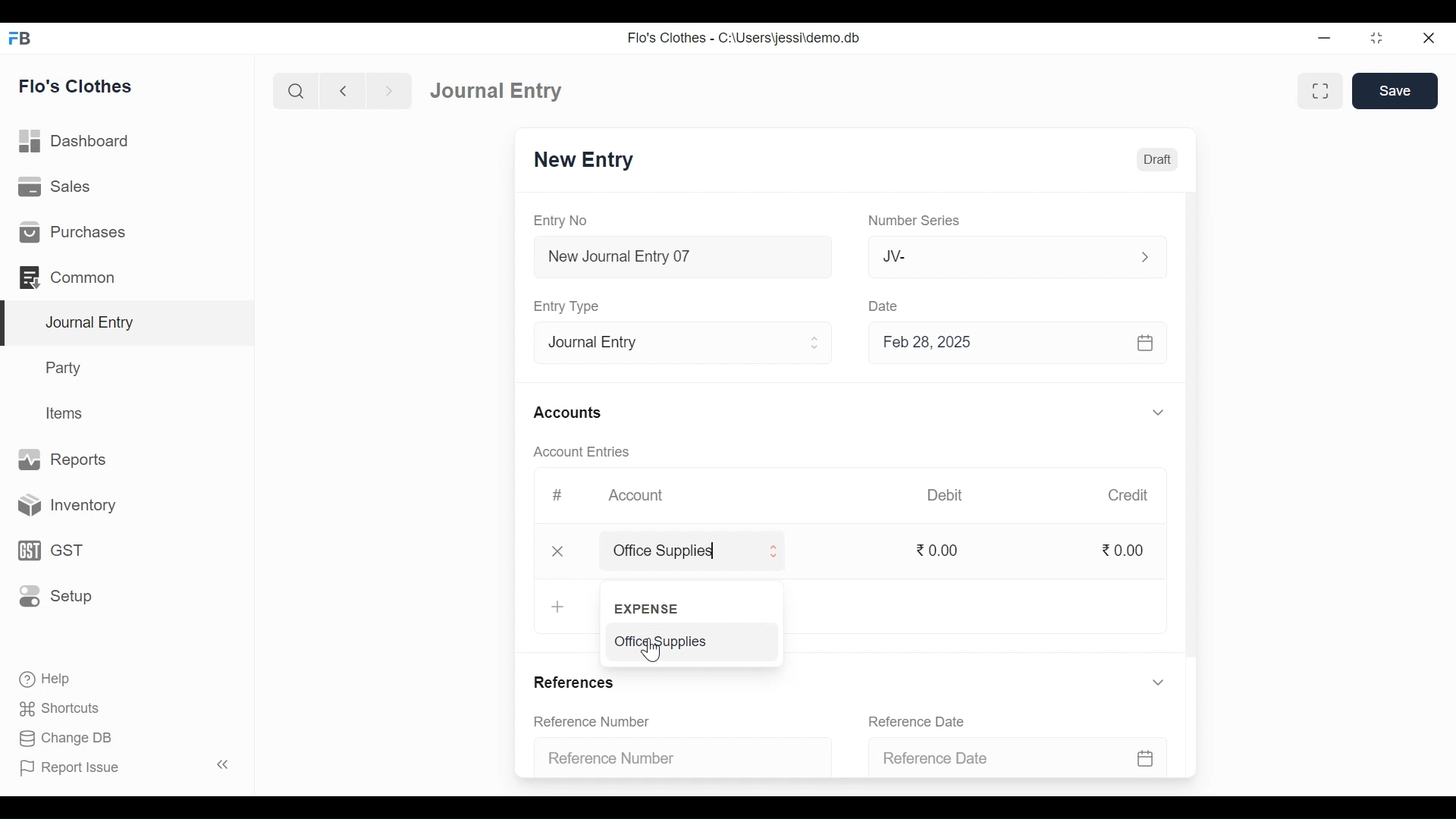 This screenshot has width=1456, height=819. What do you see at coordinates (64, 458) in the screenshot?
I see `Reports` at bounding box center [64, 458].